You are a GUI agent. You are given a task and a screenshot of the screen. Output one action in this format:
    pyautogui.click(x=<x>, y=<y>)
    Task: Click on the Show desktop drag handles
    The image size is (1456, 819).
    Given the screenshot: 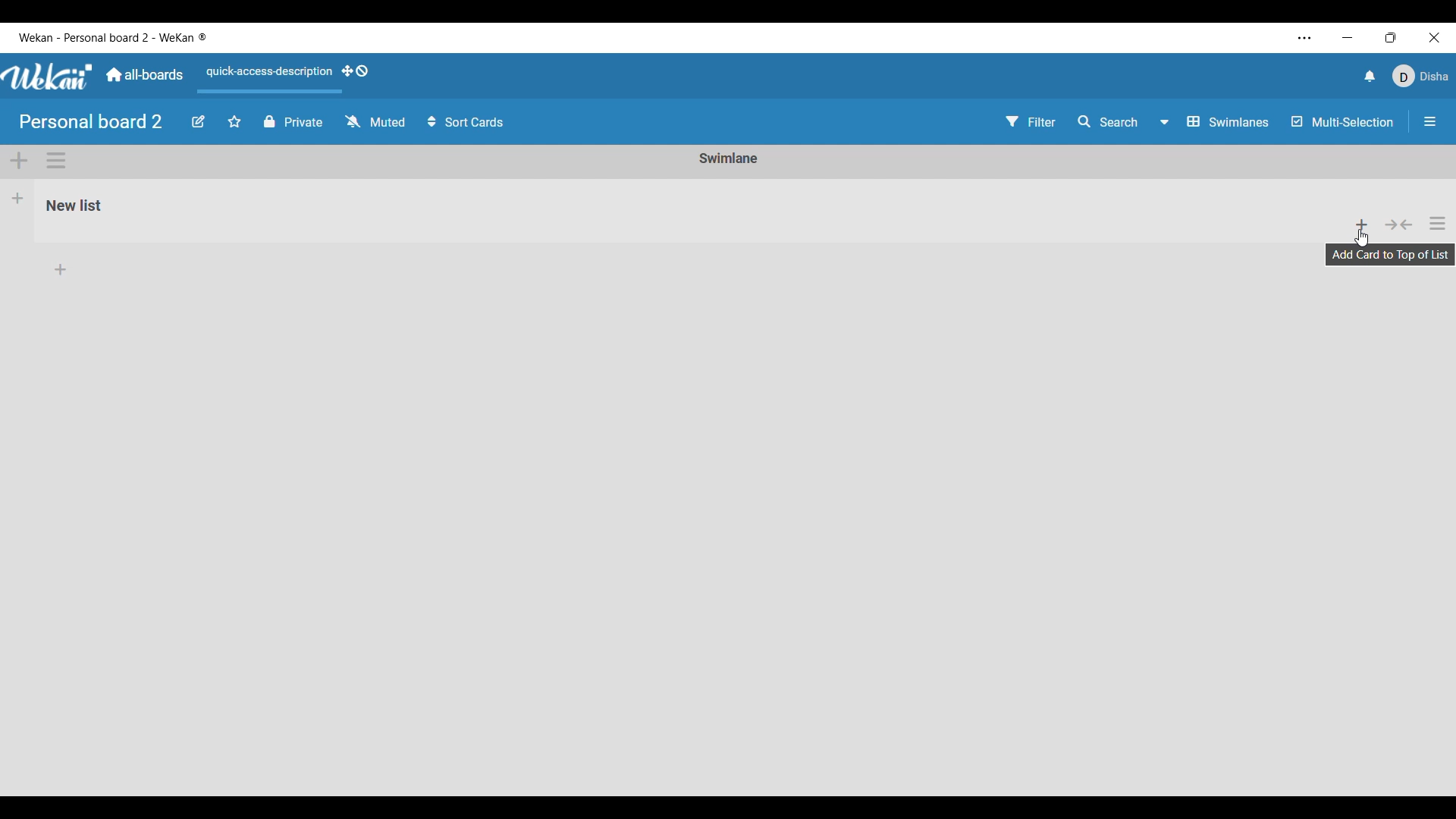 What is the action you would take?
    pyautogui.click(x=356, y=71)
    